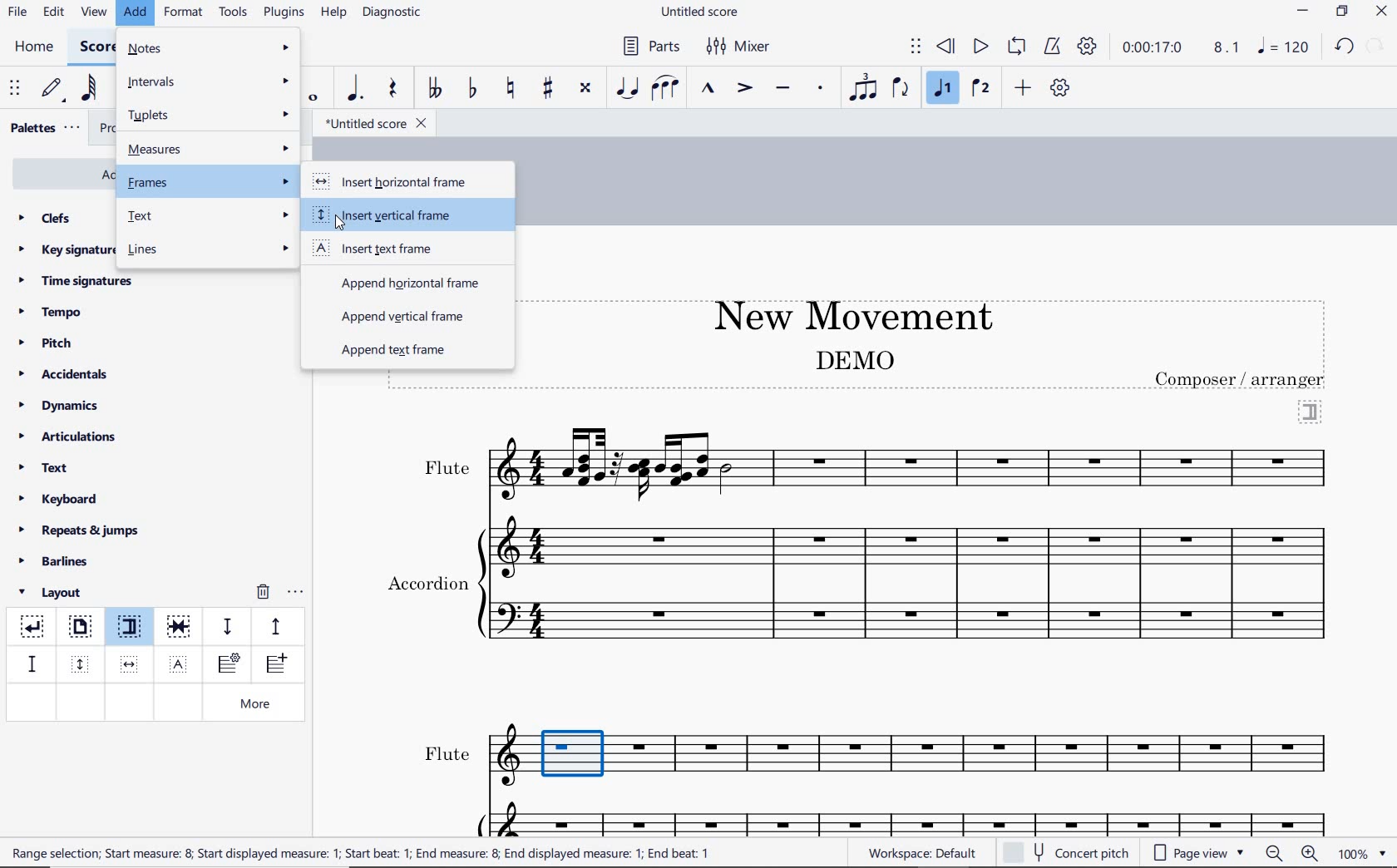 The width and height of the screenshot is (1397, 868). Describe the element at coordinates (79, 528) in the screenshot. I see `repeats & jumps` at that location.